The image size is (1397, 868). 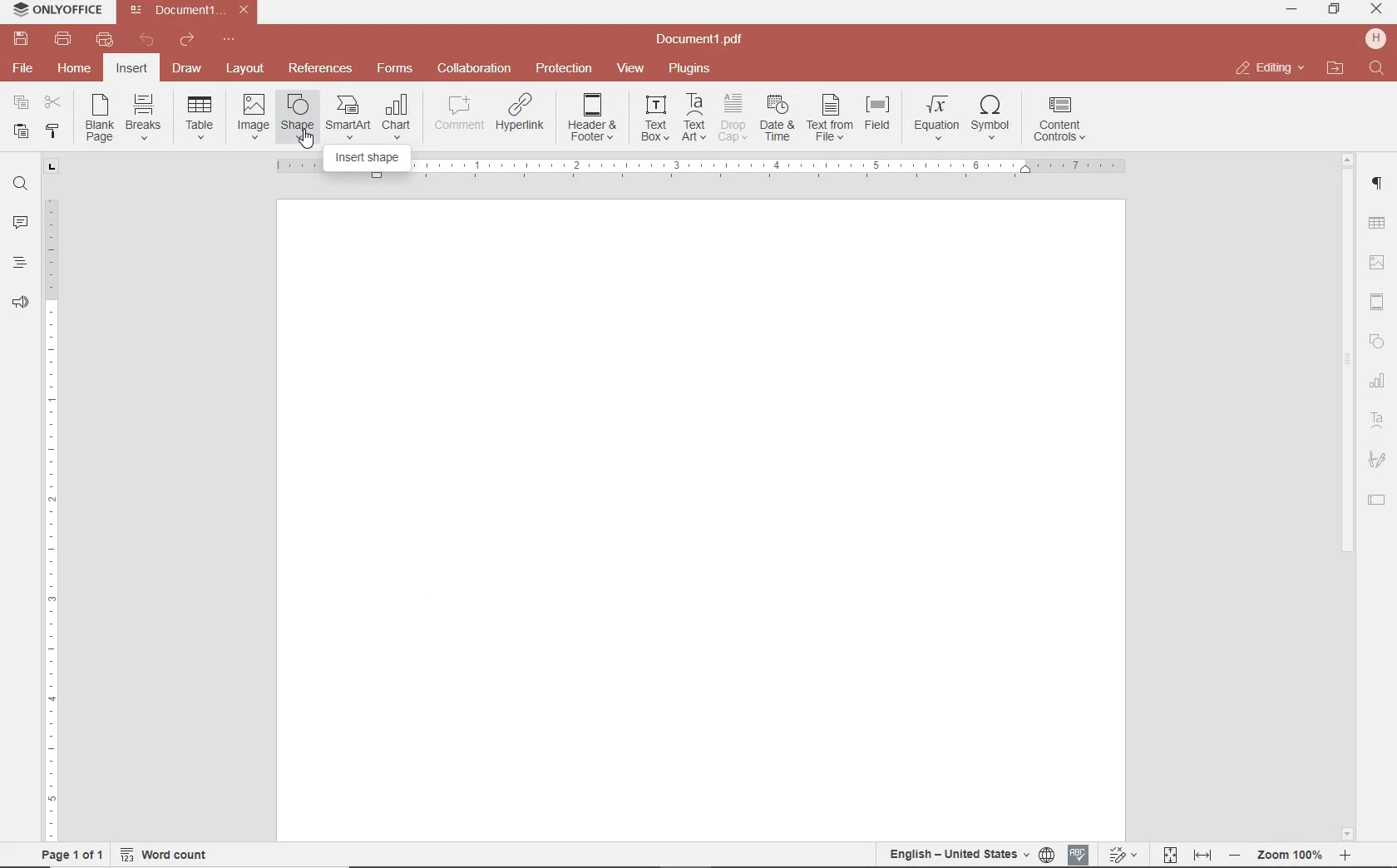 What do you see at coordinates (1121, 856) in the screenshot?
I see `track change` at bounding box center [1121, 856].